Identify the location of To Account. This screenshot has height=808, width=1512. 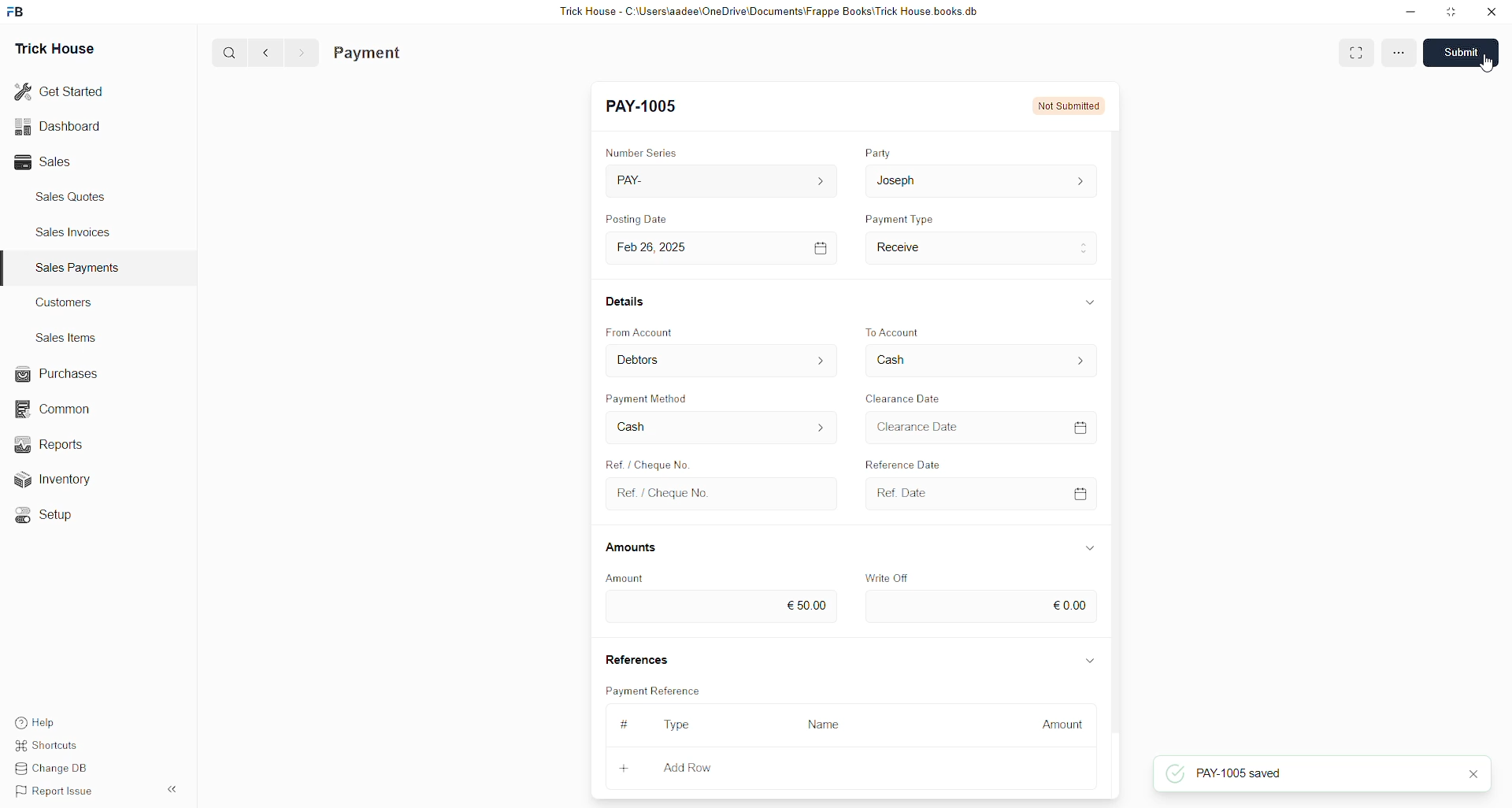
(981, 360).